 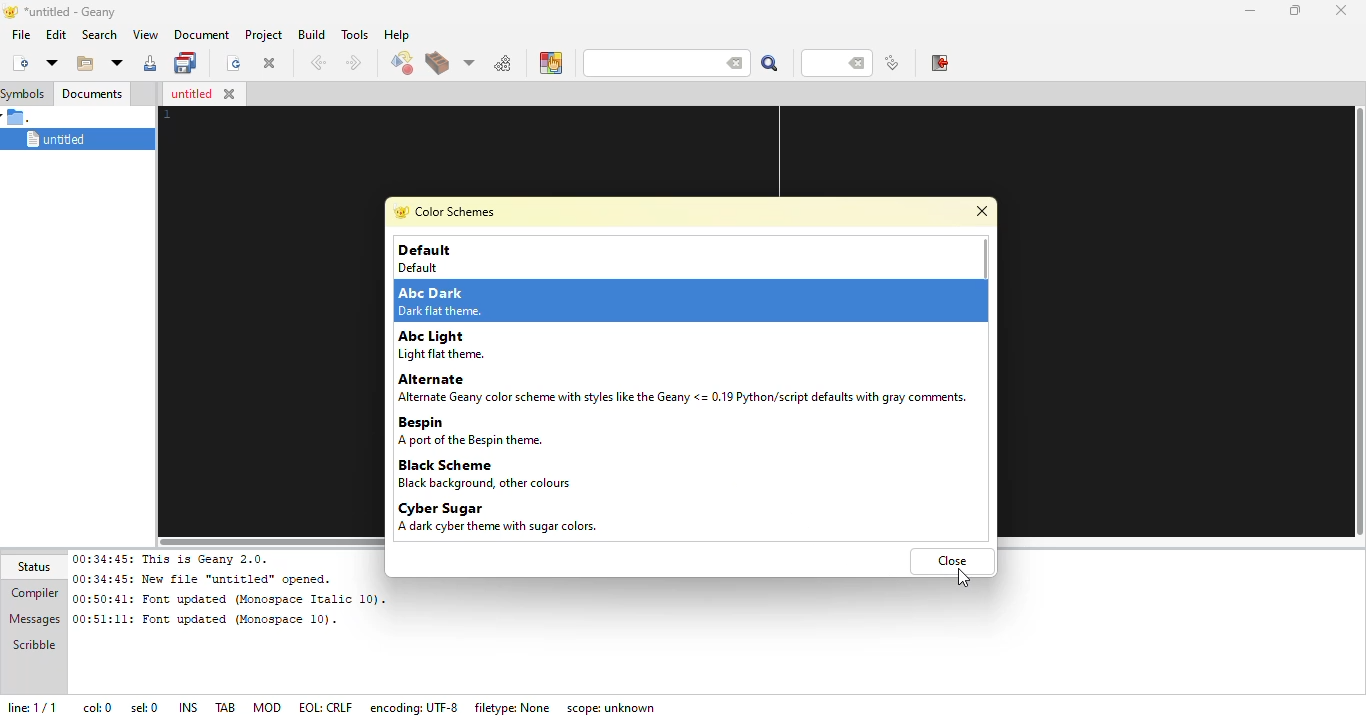 I want to click on color schemes, so click(x=455, y=209).